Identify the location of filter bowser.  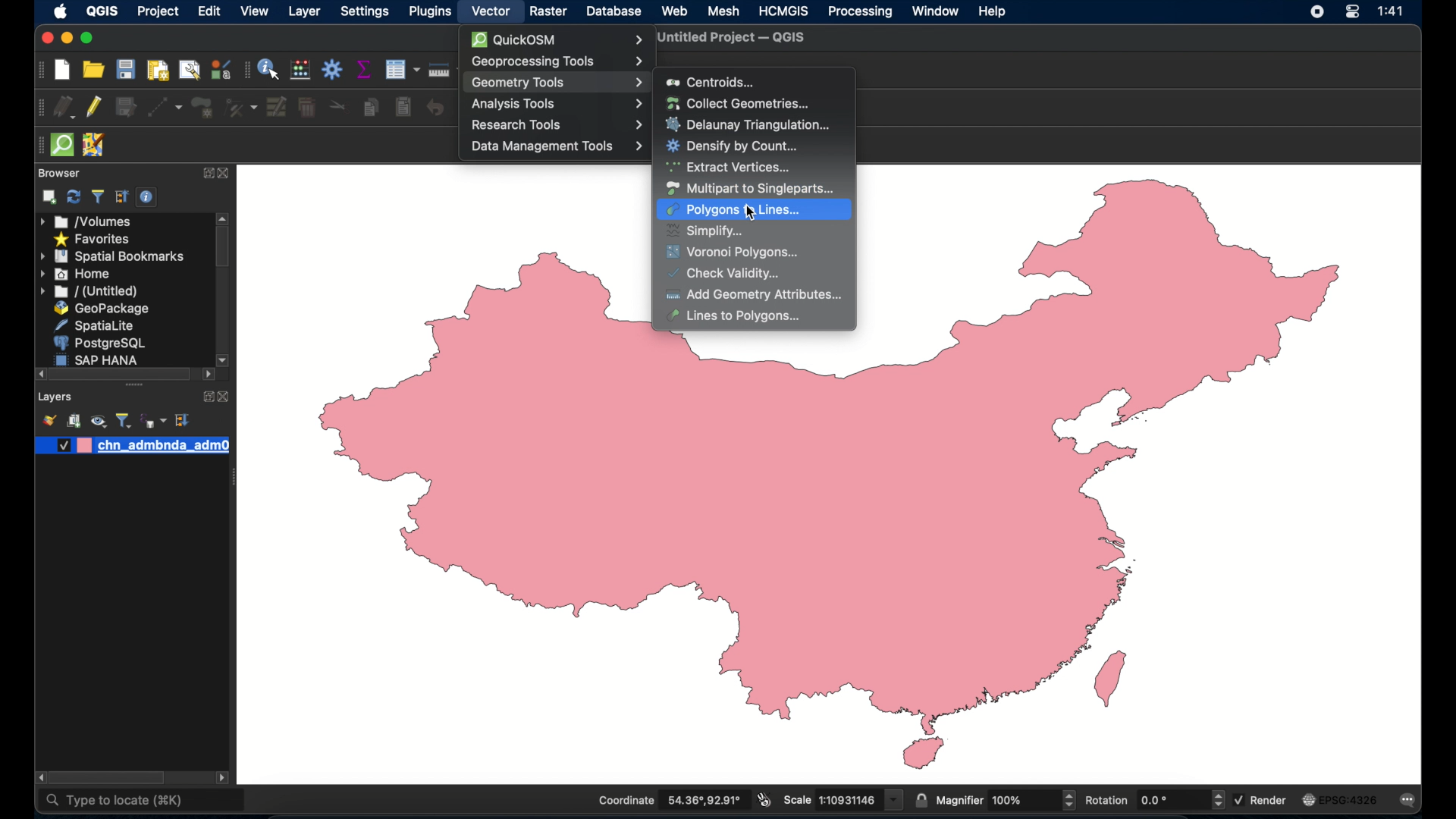
(96, 196).